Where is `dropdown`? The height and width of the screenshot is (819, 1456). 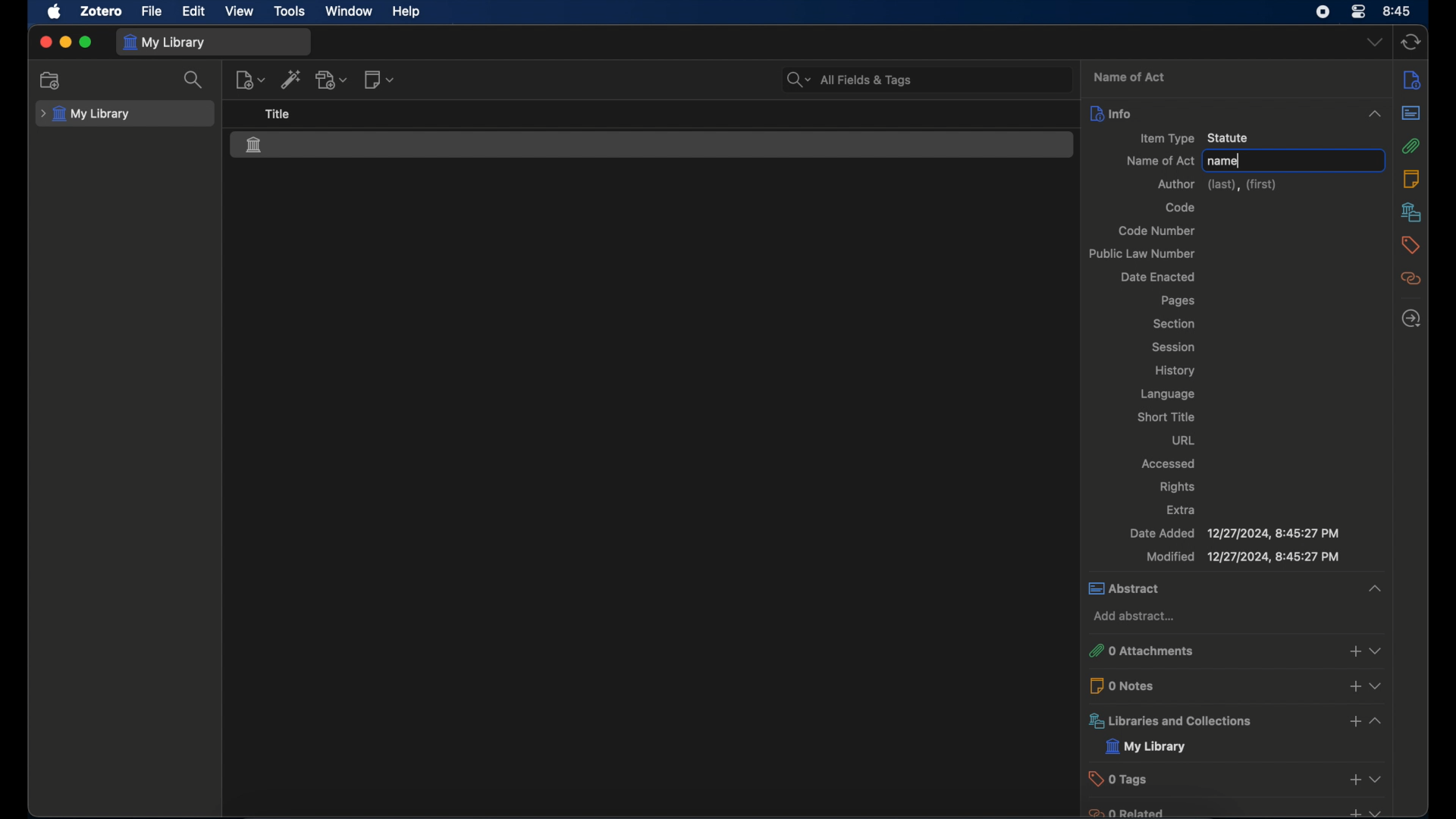
dropdown is located at coordinates (1376, 810).